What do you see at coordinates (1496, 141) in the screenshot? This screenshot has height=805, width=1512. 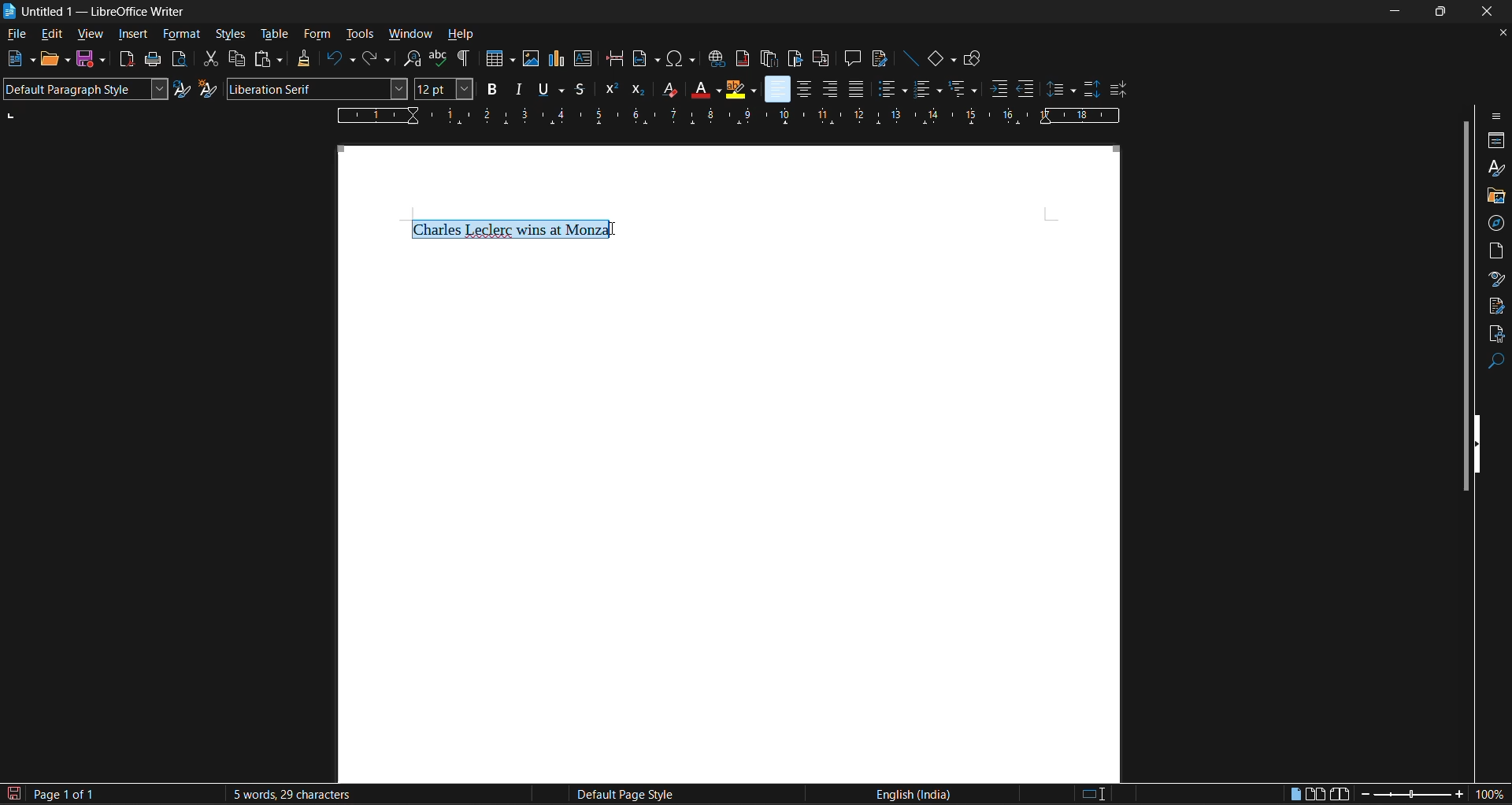 I see `properties` at bounding box center [1496, 141].